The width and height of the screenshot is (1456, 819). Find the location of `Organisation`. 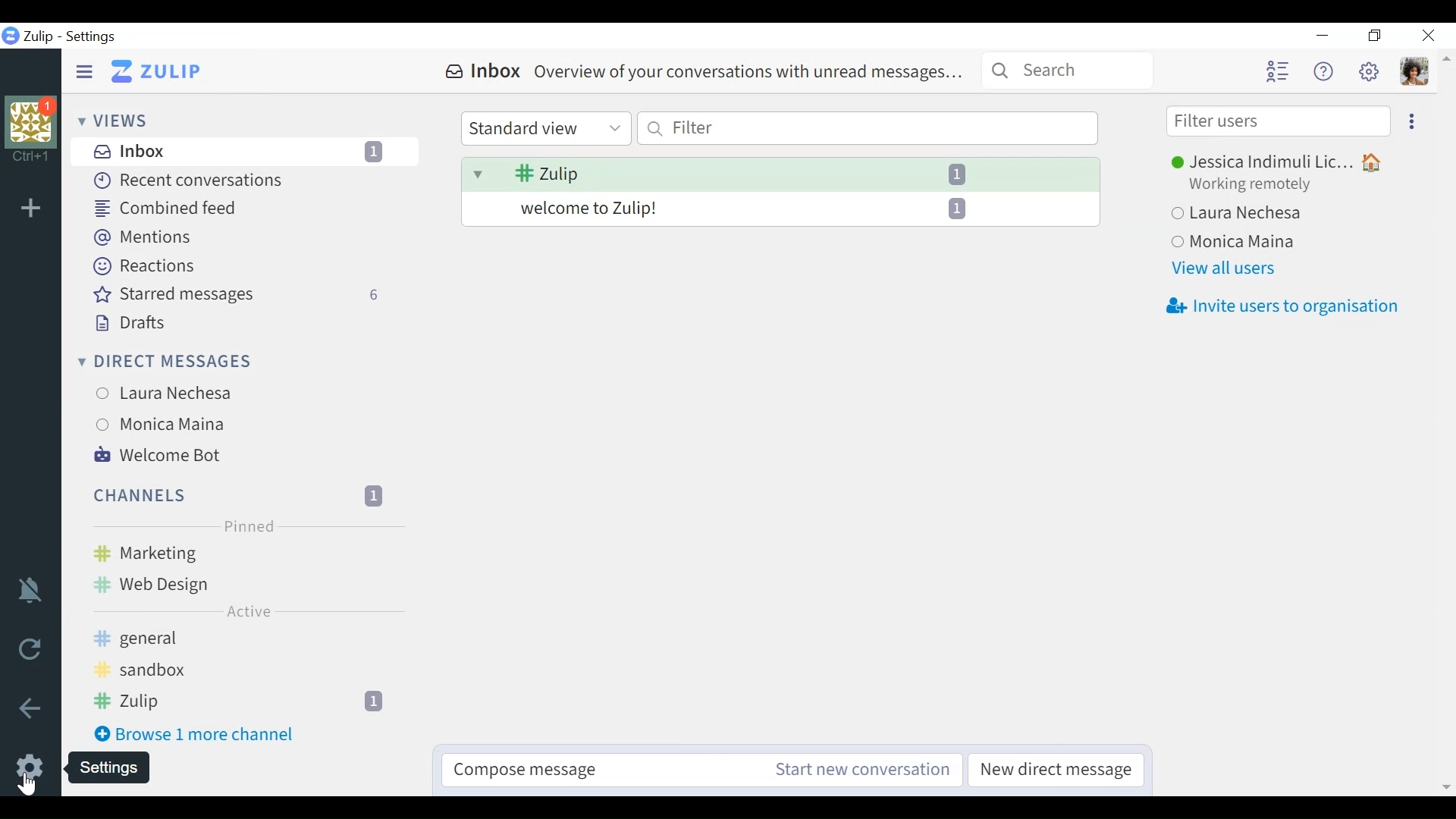

Organisation is located at coordinates (35, 129).